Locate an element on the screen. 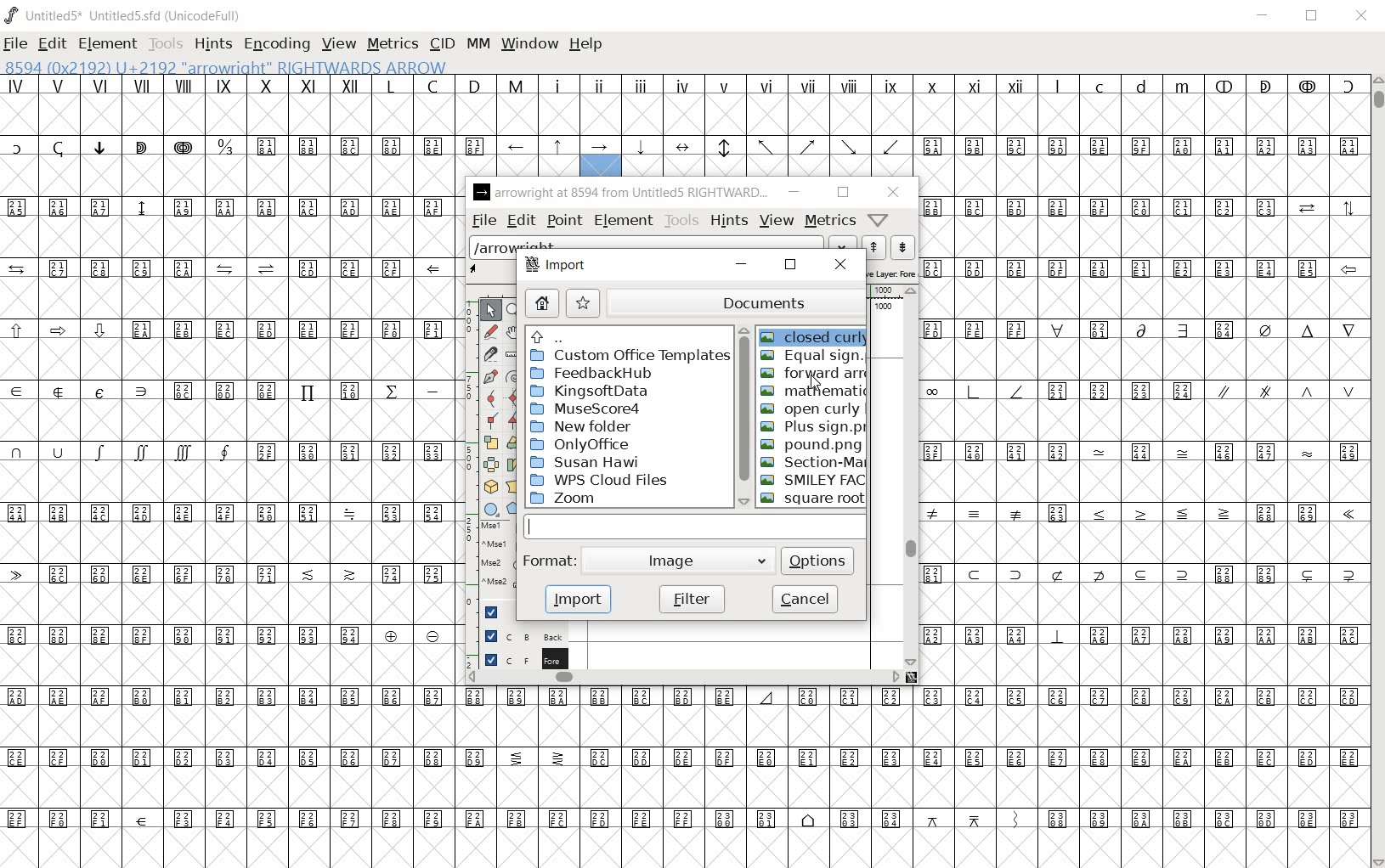 The width and height of the screenshot is (1385, 868). format is located at coordinates (549, 561).